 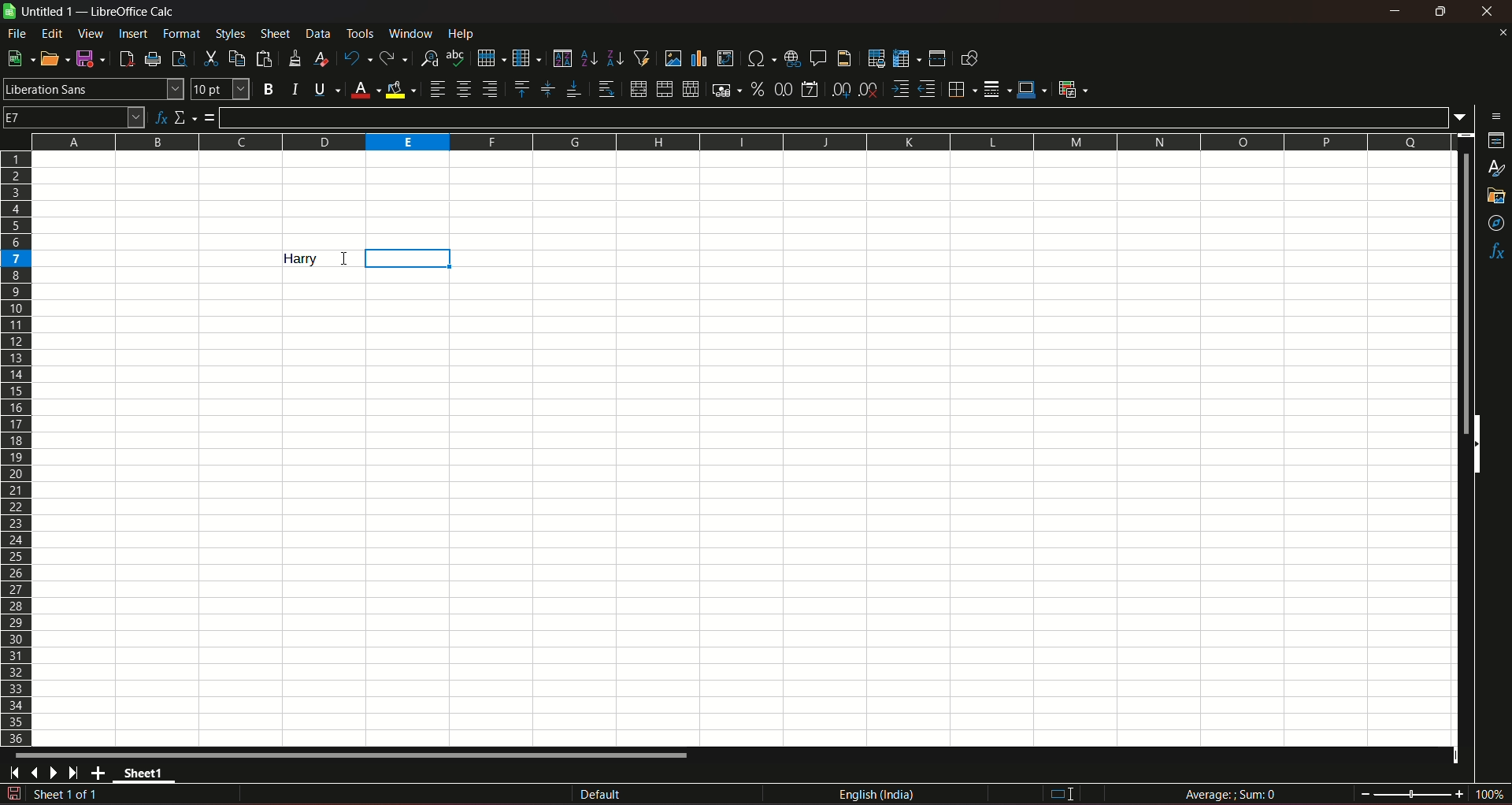 I want to click on align right, so click(x=492, y=89).